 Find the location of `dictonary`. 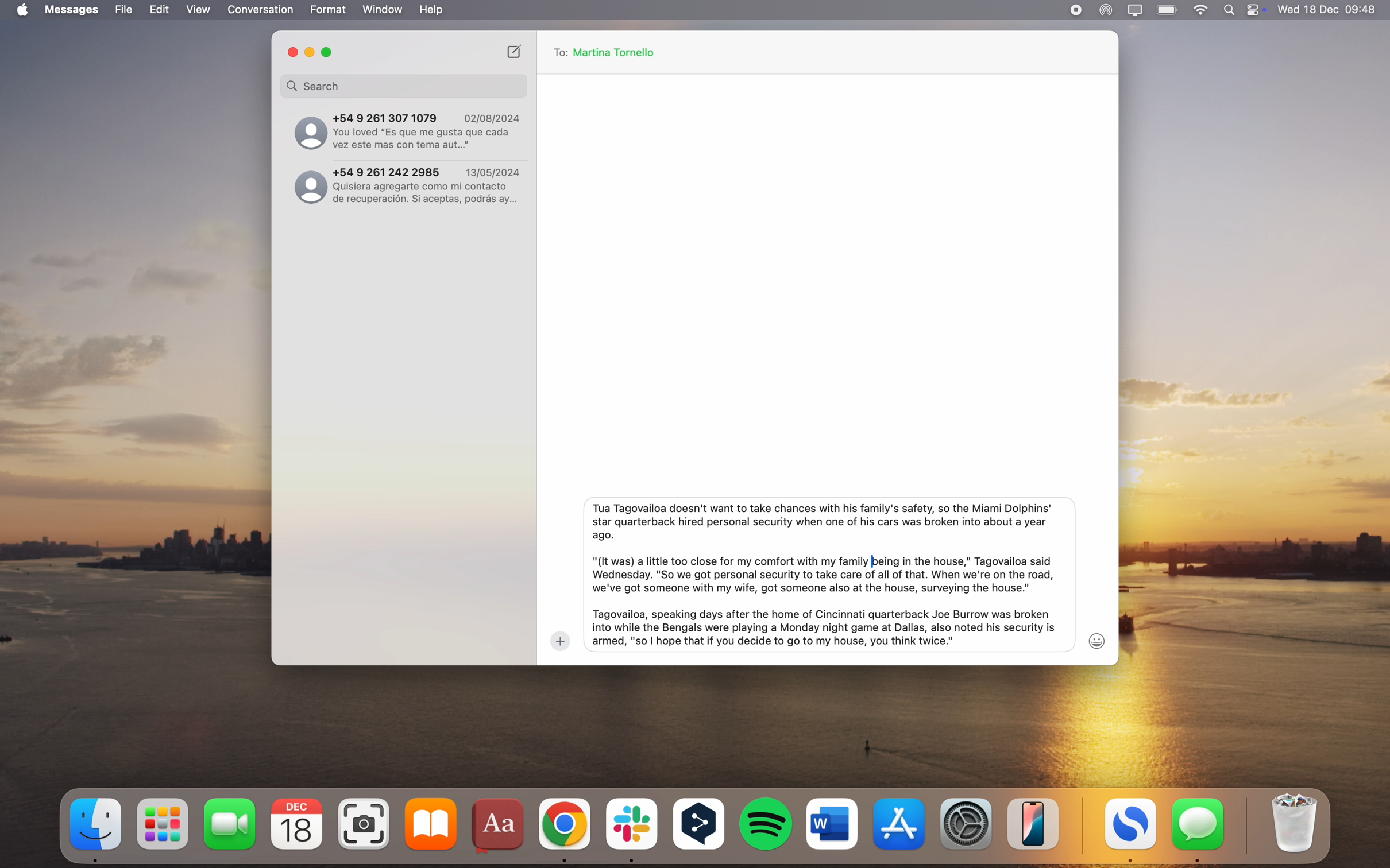

dictonary is located at coordinates (500, 827).